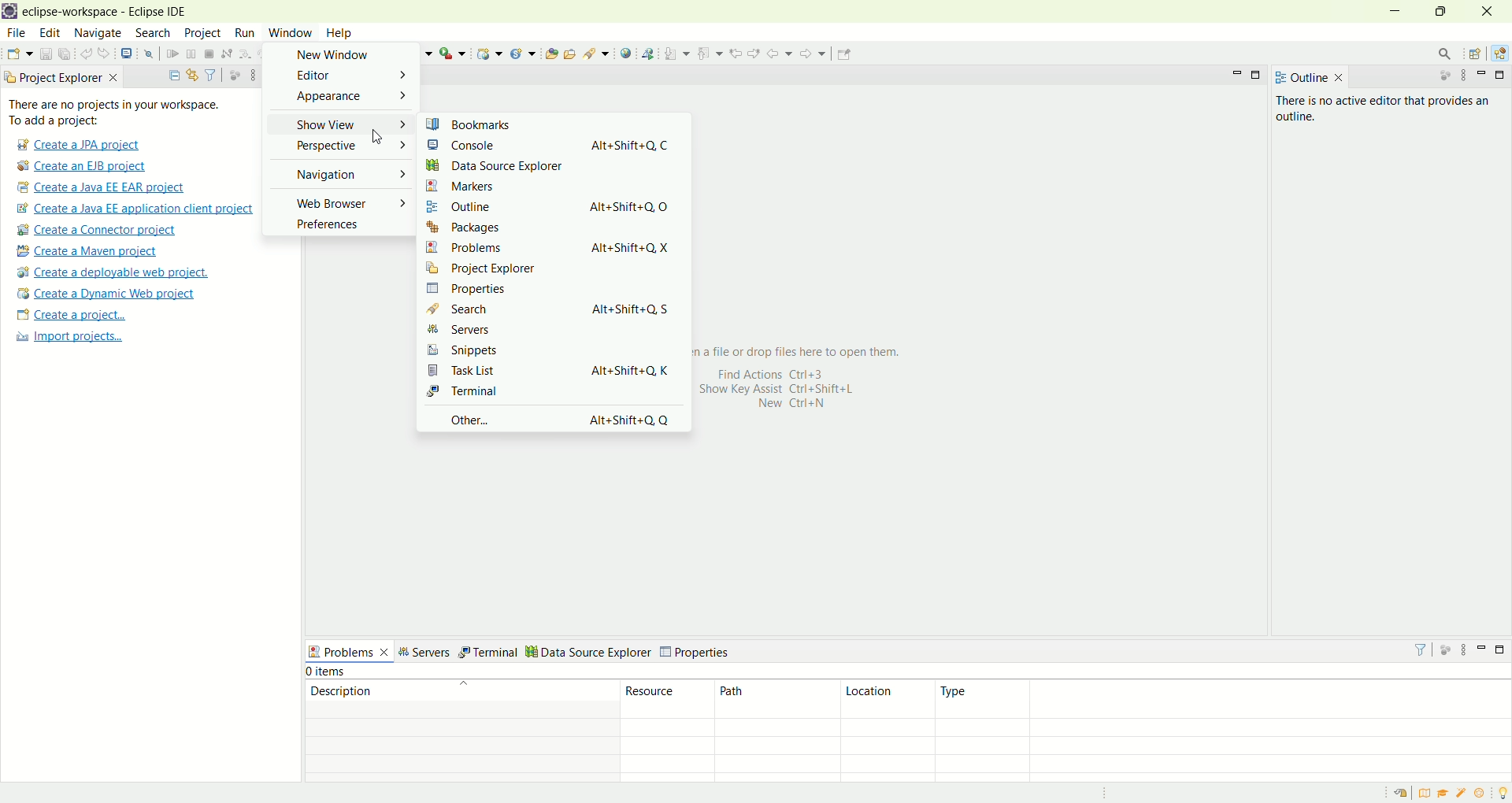 The width and height of the screenshot is (1512, 803). Describe the element at coordinates (484, 207) in the screenshot. I see `outline` at that location.